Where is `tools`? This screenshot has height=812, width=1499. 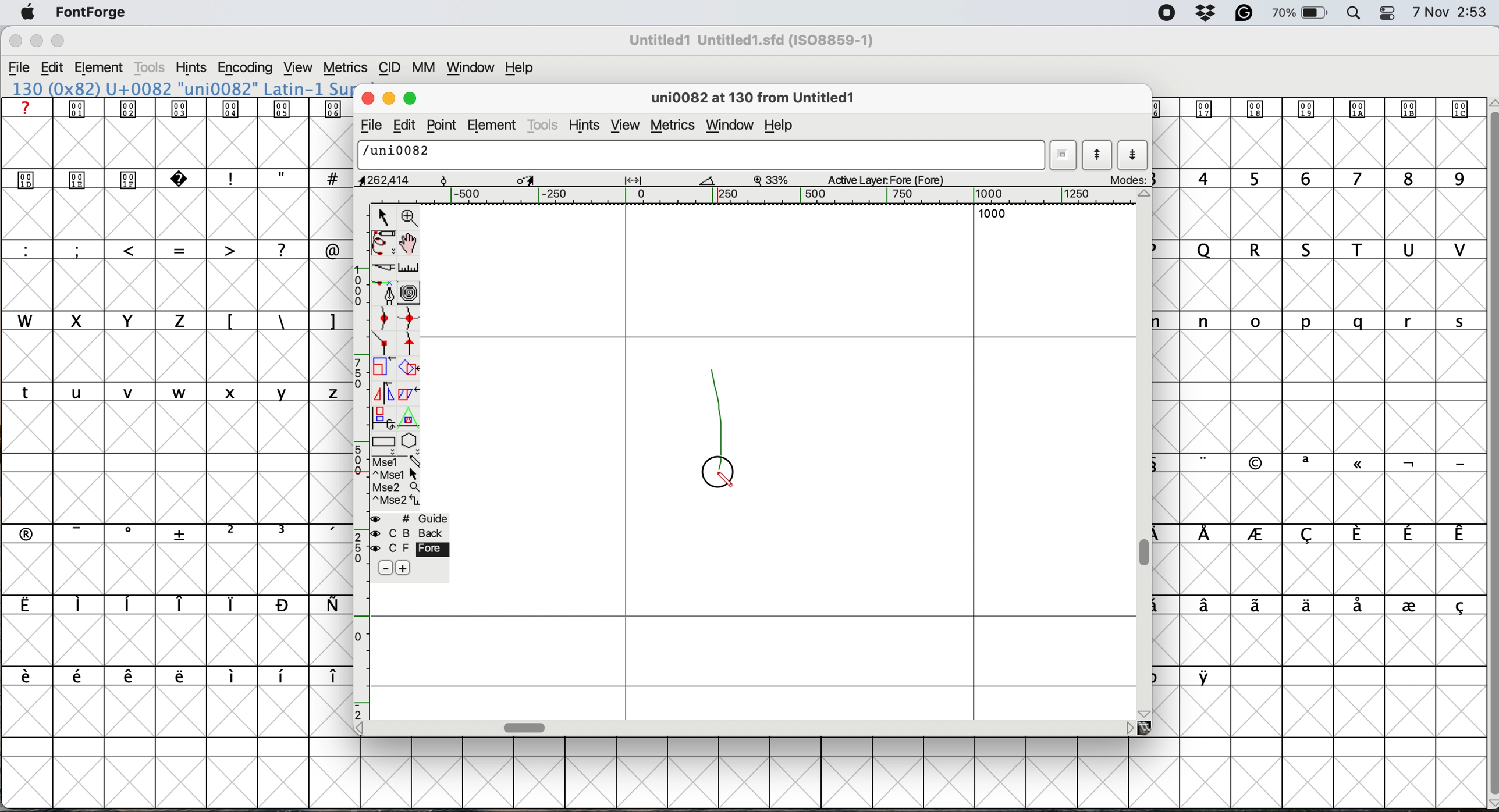
tools is located at coordinates (151, 67).